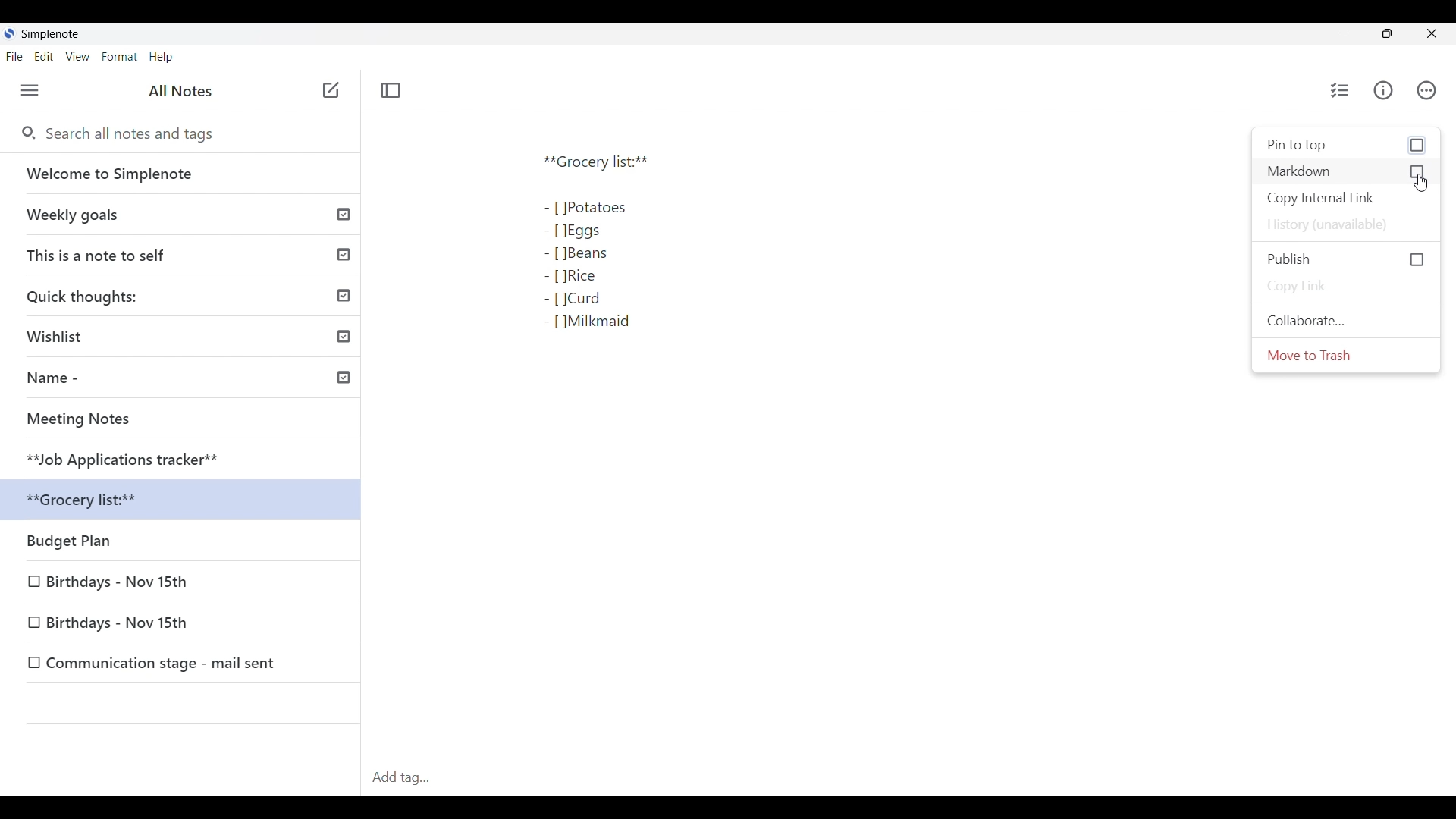 This screenshot has width=1456, height=819. I want to click on All Notes, so click(180, 92).